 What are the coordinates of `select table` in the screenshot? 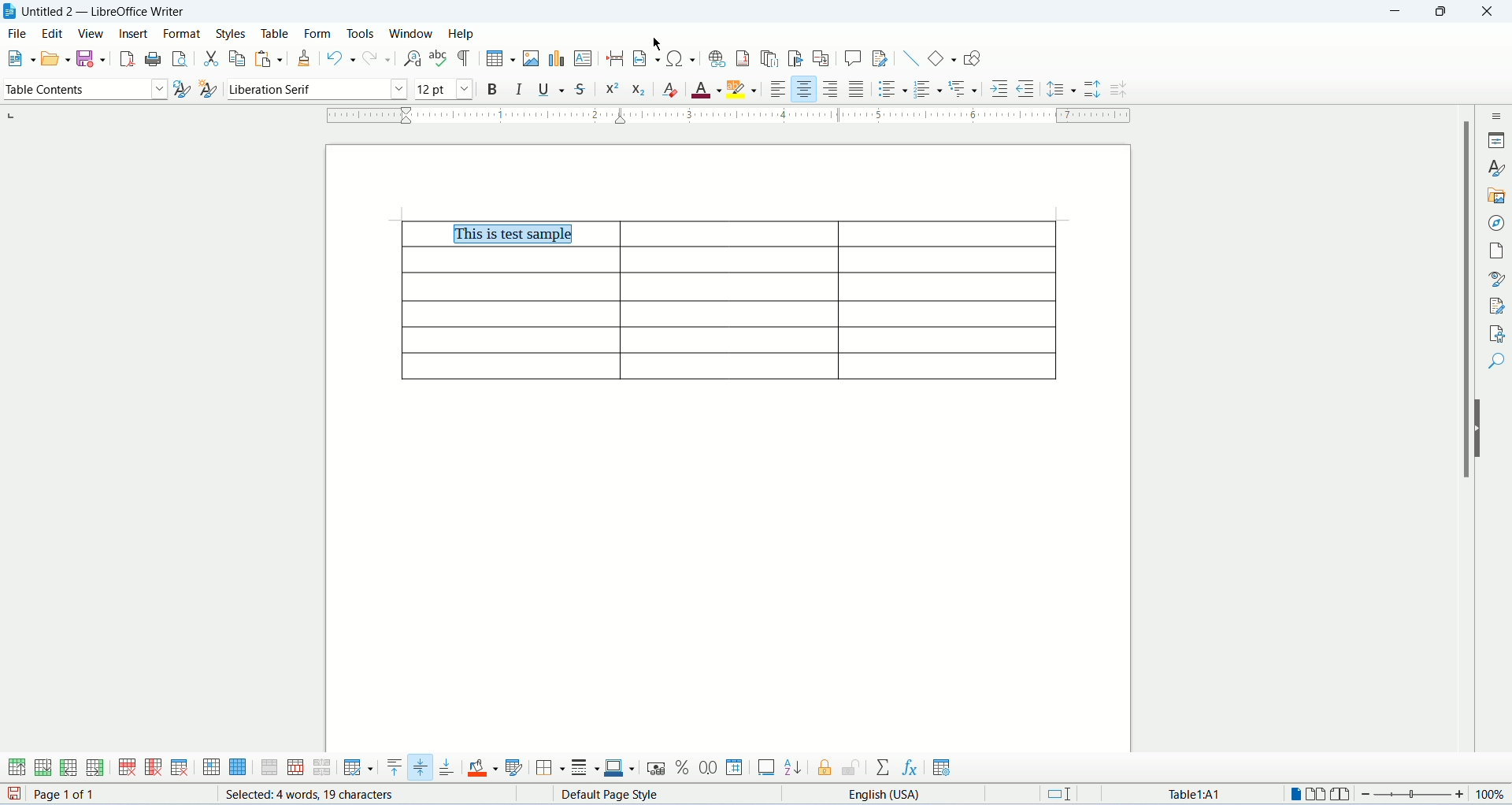 It's located at (238, 770).